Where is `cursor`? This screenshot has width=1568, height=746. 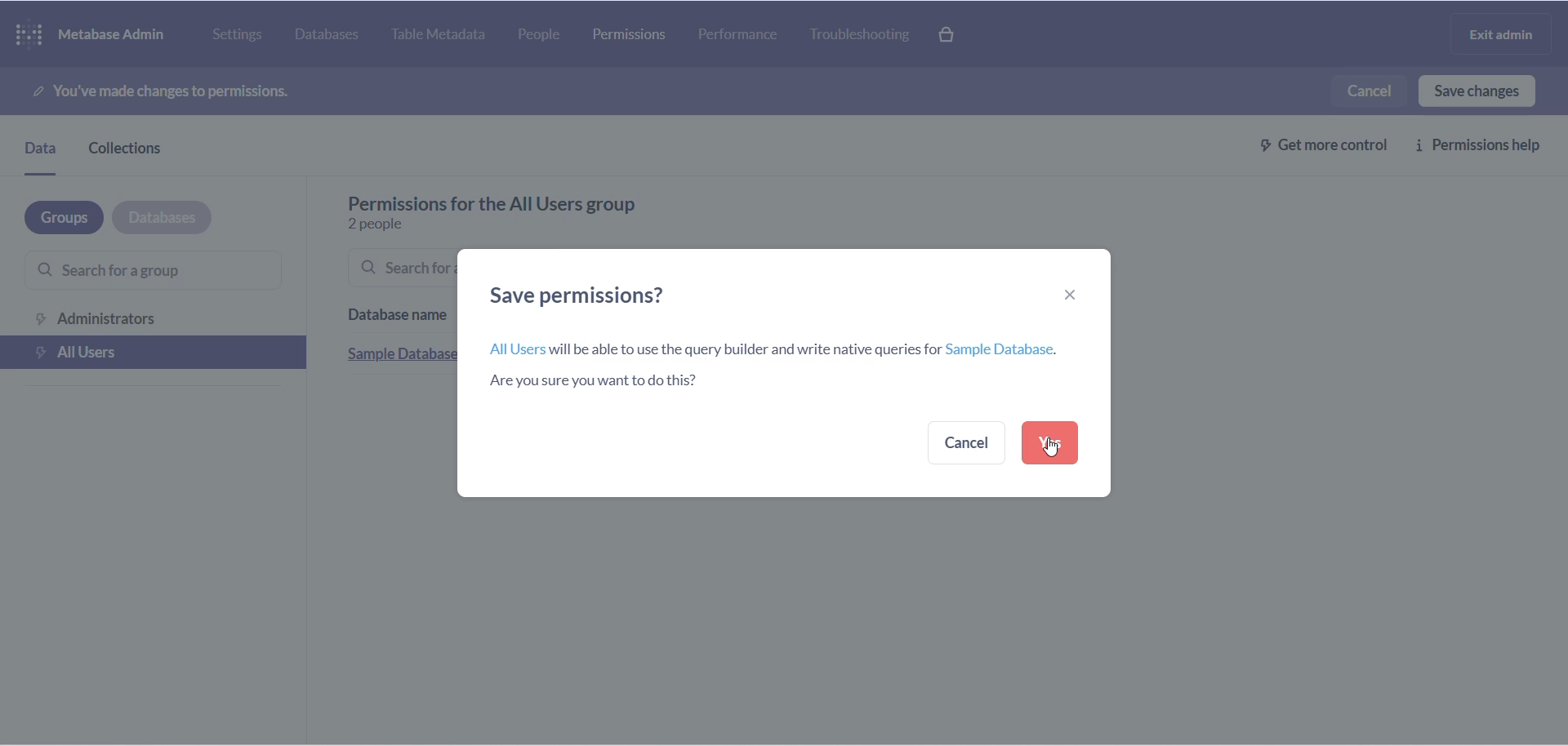 cursor is located at coordinates (1051, 445).